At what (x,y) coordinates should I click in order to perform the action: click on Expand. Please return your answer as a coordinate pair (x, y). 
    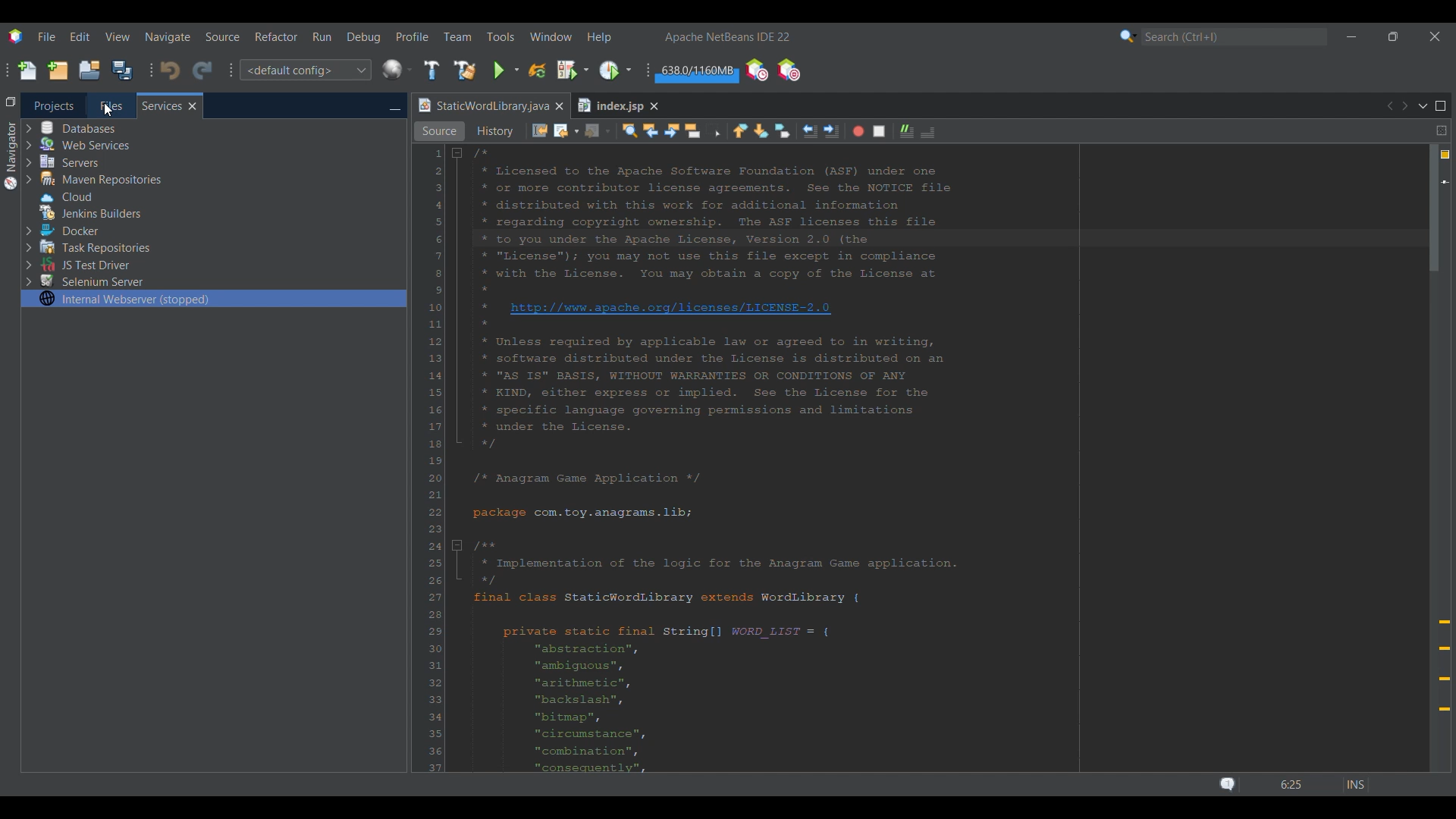
    Looking at the image, I should click on (29, 206).